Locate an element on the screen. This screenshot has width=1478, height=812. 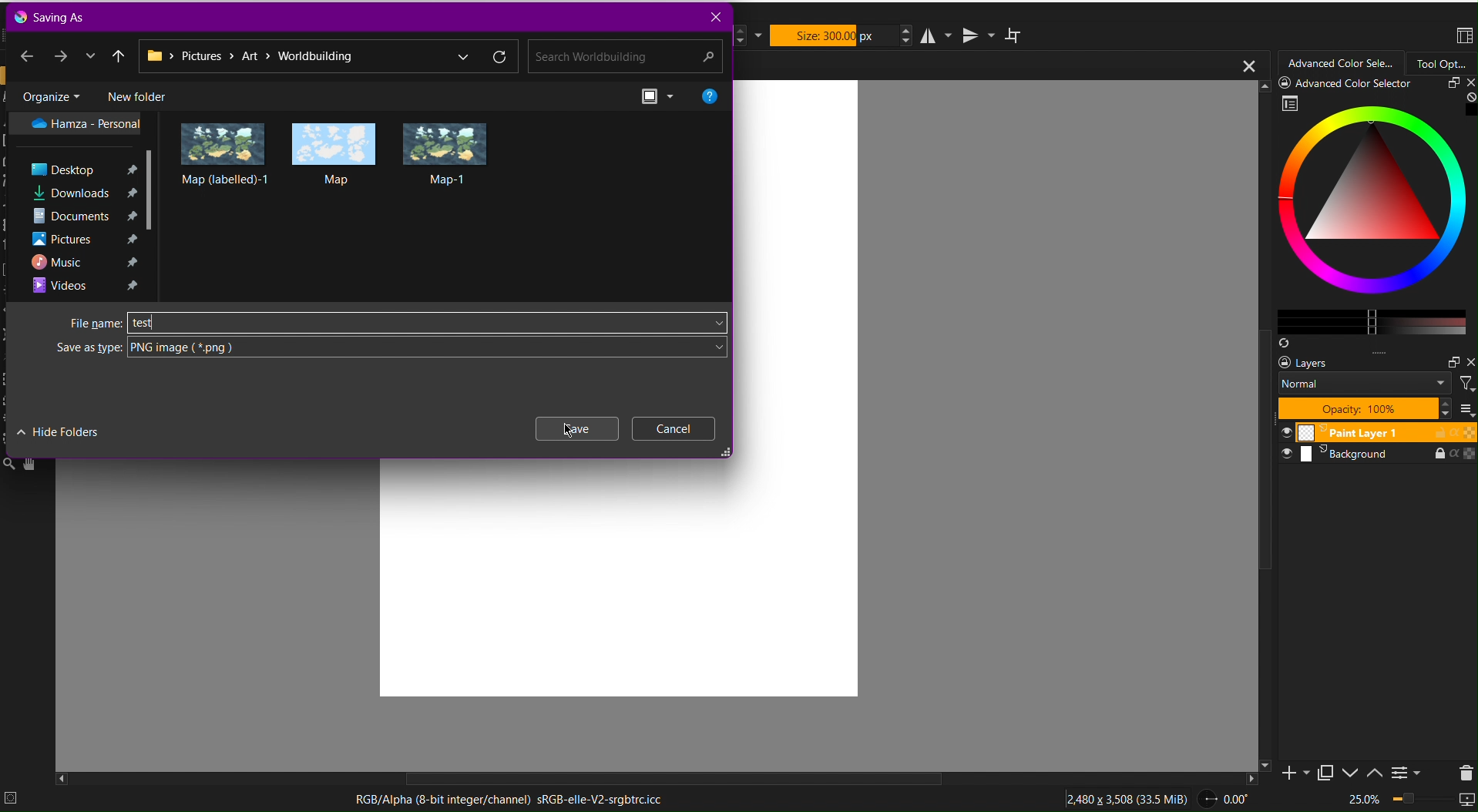
Slide Options is located at coordinates (1353, 773).